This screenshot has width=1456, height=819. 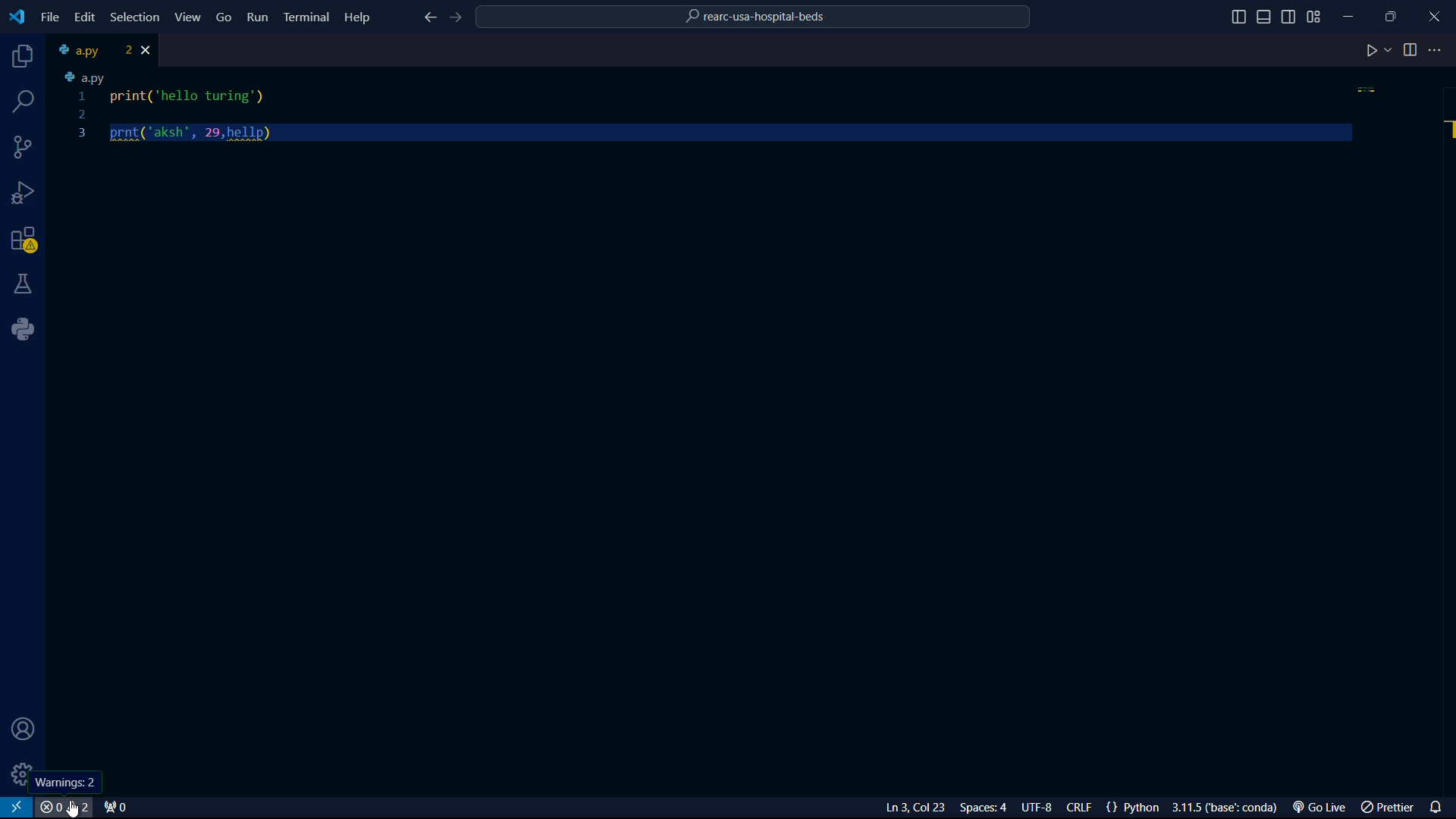 What do you see at coordinates (224, 16) in the screenshot?
I see `Go` at bounding box center [224, 16].